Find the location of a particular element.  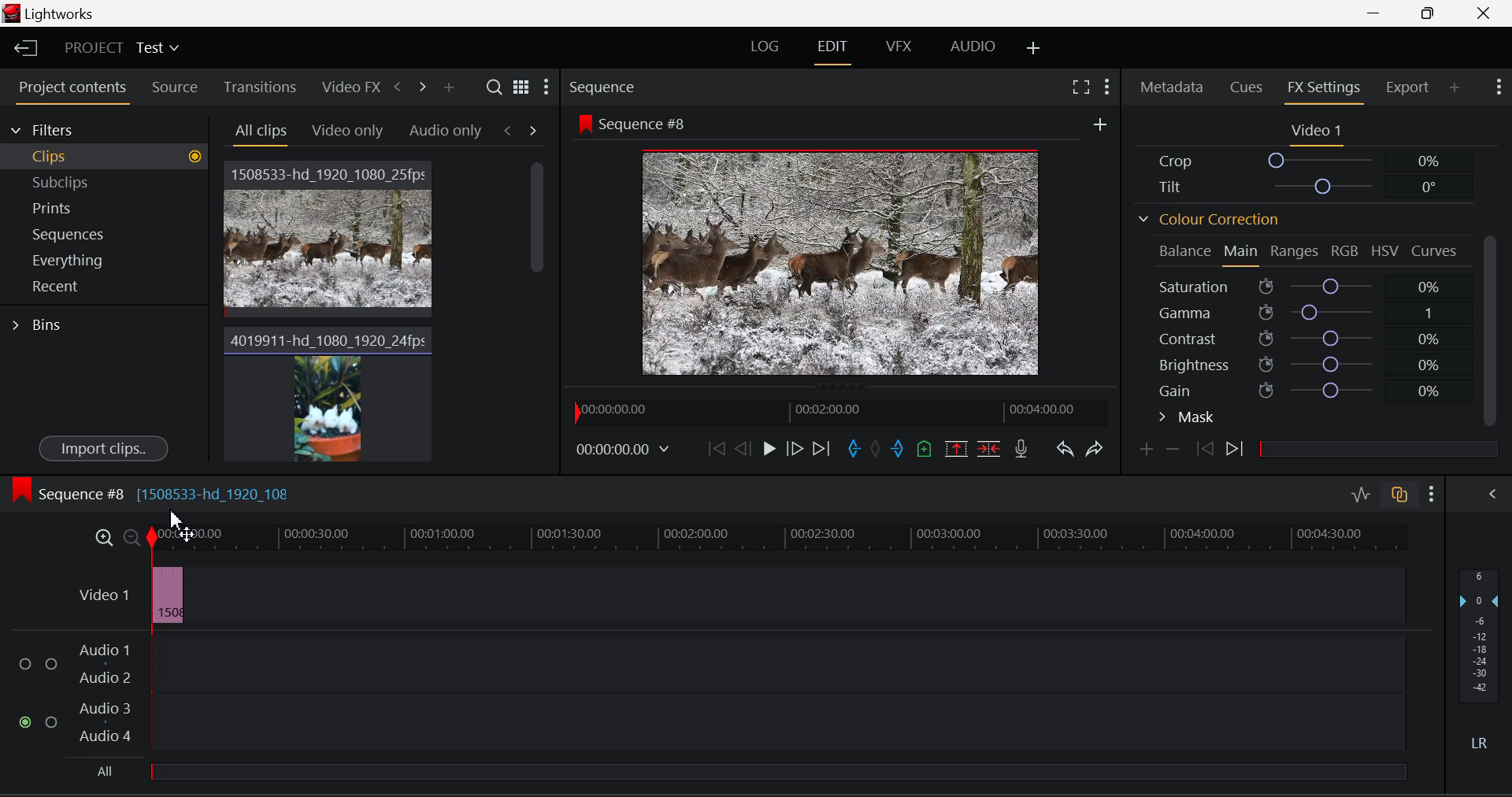

Brightness is located at coordinates (1307, 367).